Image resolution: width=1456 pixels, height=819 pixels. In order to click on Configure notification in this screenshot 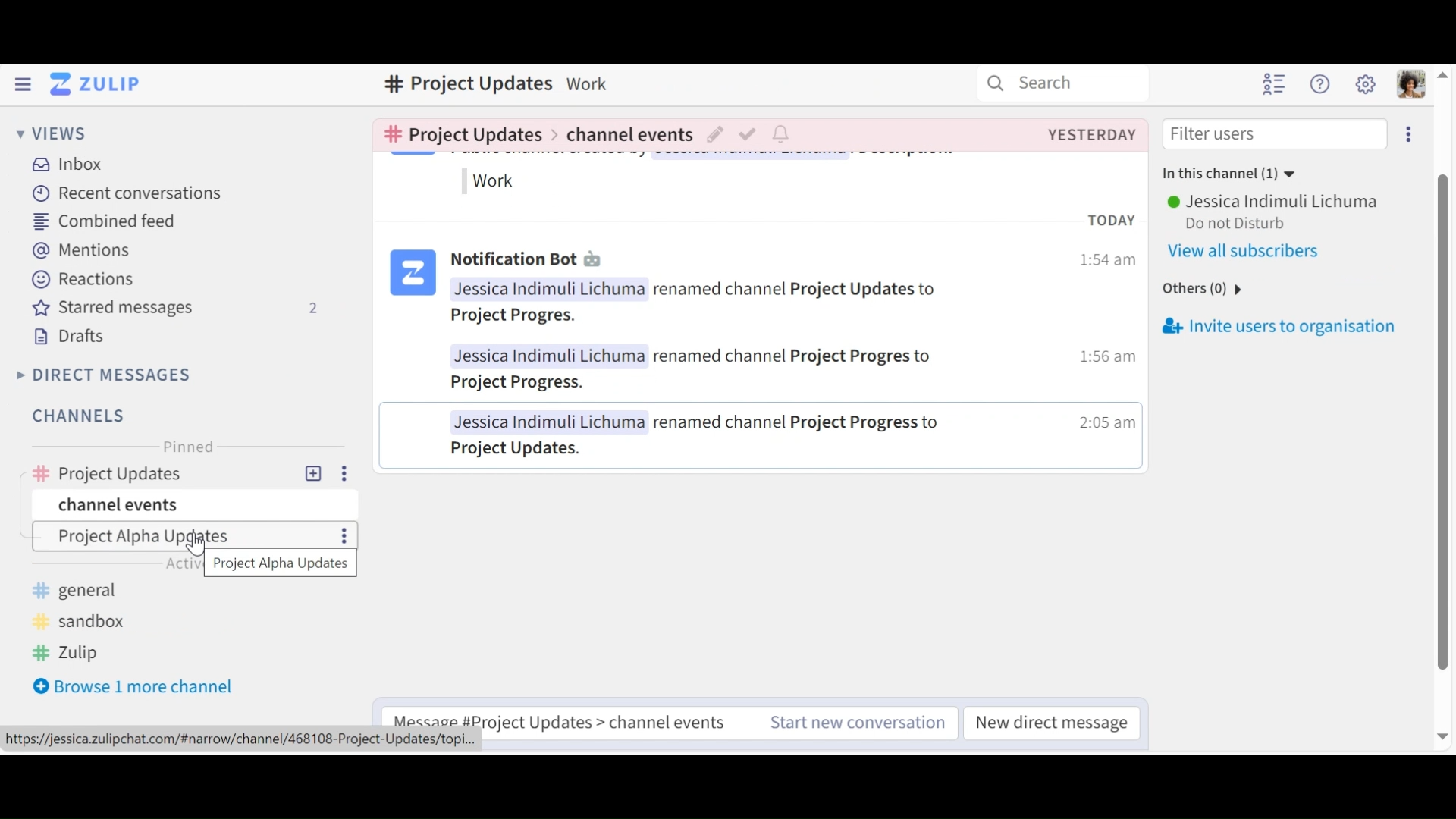, I will do `click(783, 135)`.